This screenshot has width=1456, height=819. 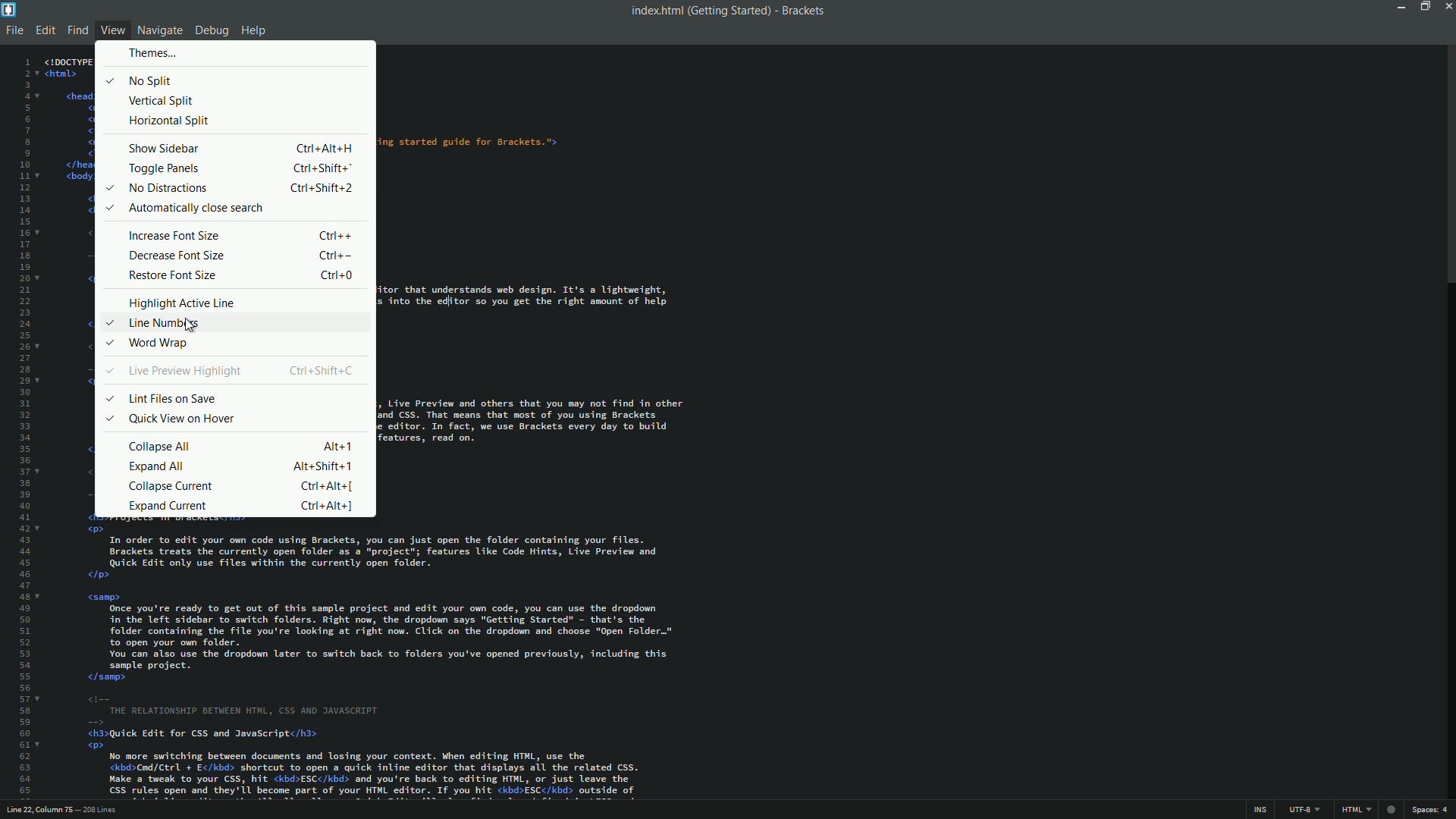 What do you see at coordinates (1447, 6) in the screenshot?
I see `close app` at bounding box center [1447, 6].